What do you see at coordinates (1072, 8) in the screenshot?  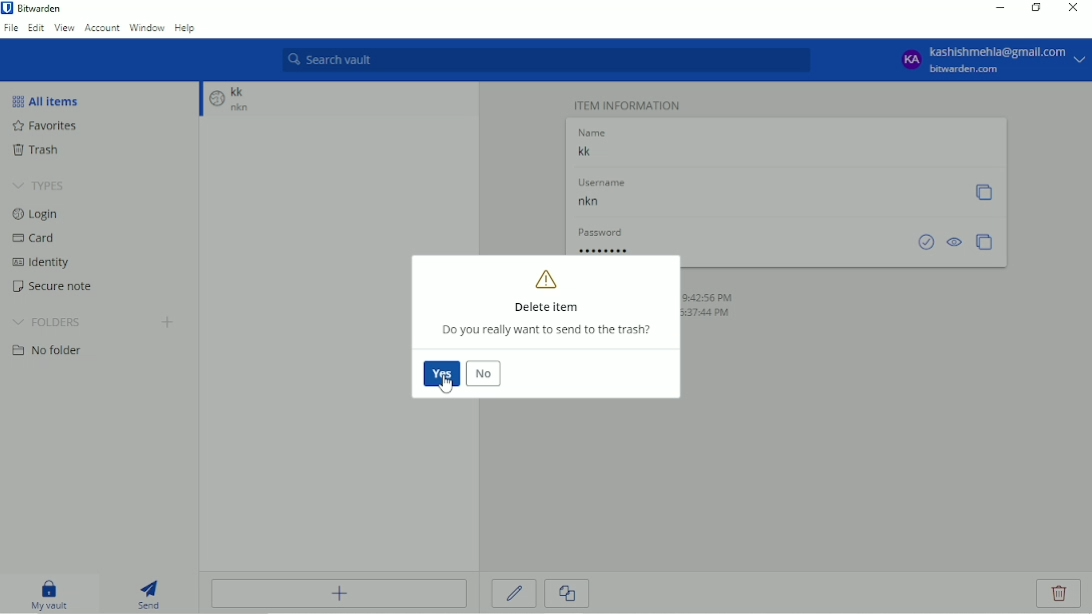 I see `Close` at bounding box center [1072, 8].